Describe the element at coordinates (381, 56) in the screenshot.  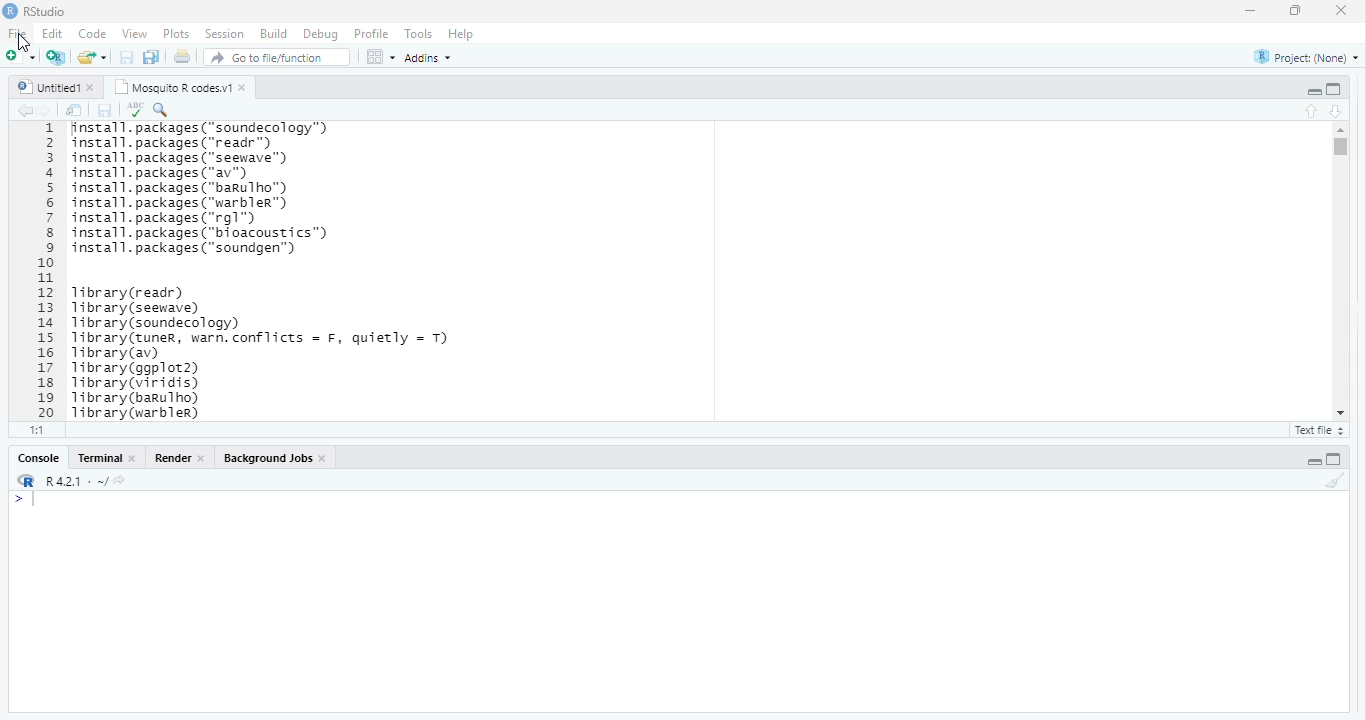
I see `grid` at that location.